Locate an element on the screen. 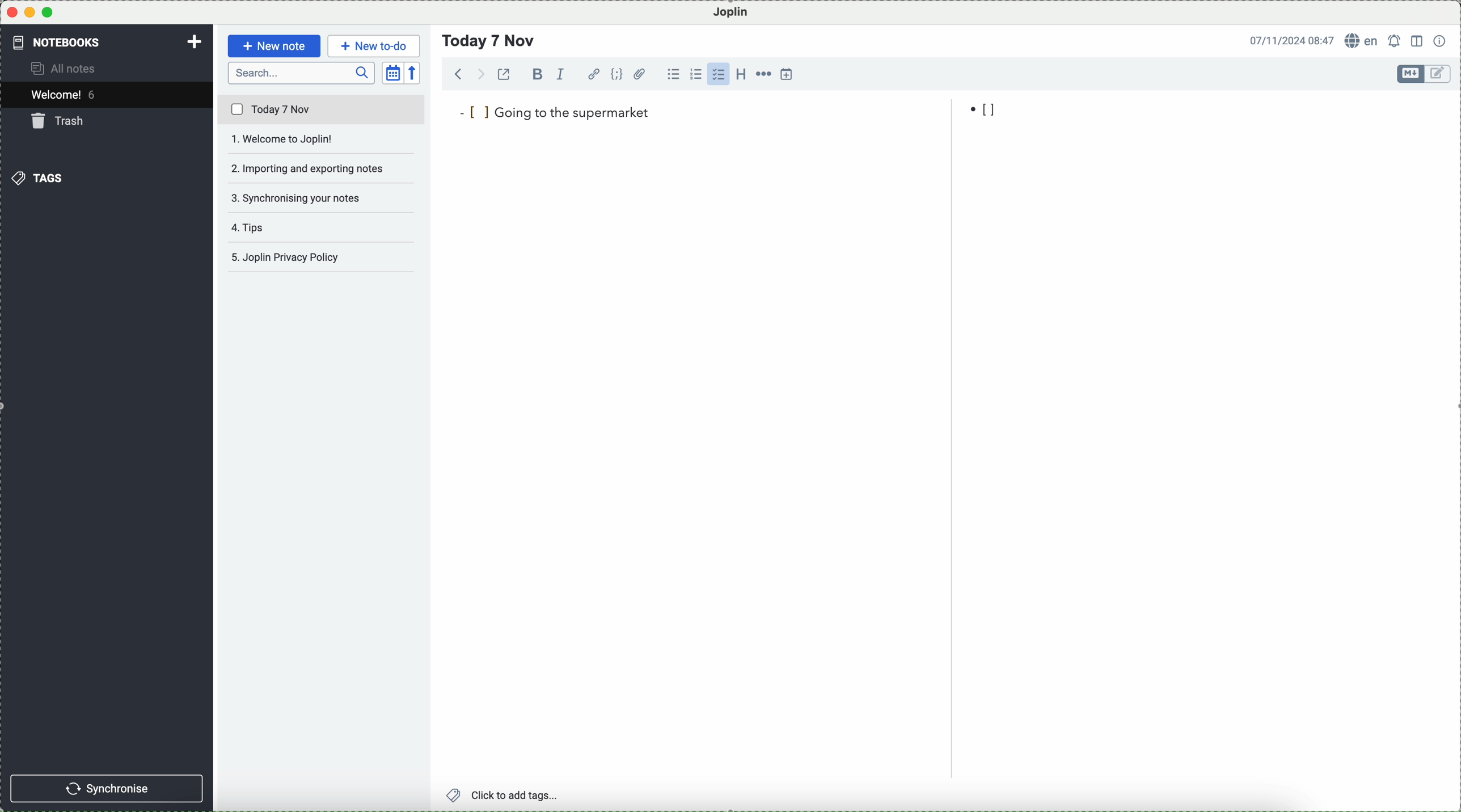 The height and width of the screenshot is (812, 1461). add tags is located at coordinates (504, 796).